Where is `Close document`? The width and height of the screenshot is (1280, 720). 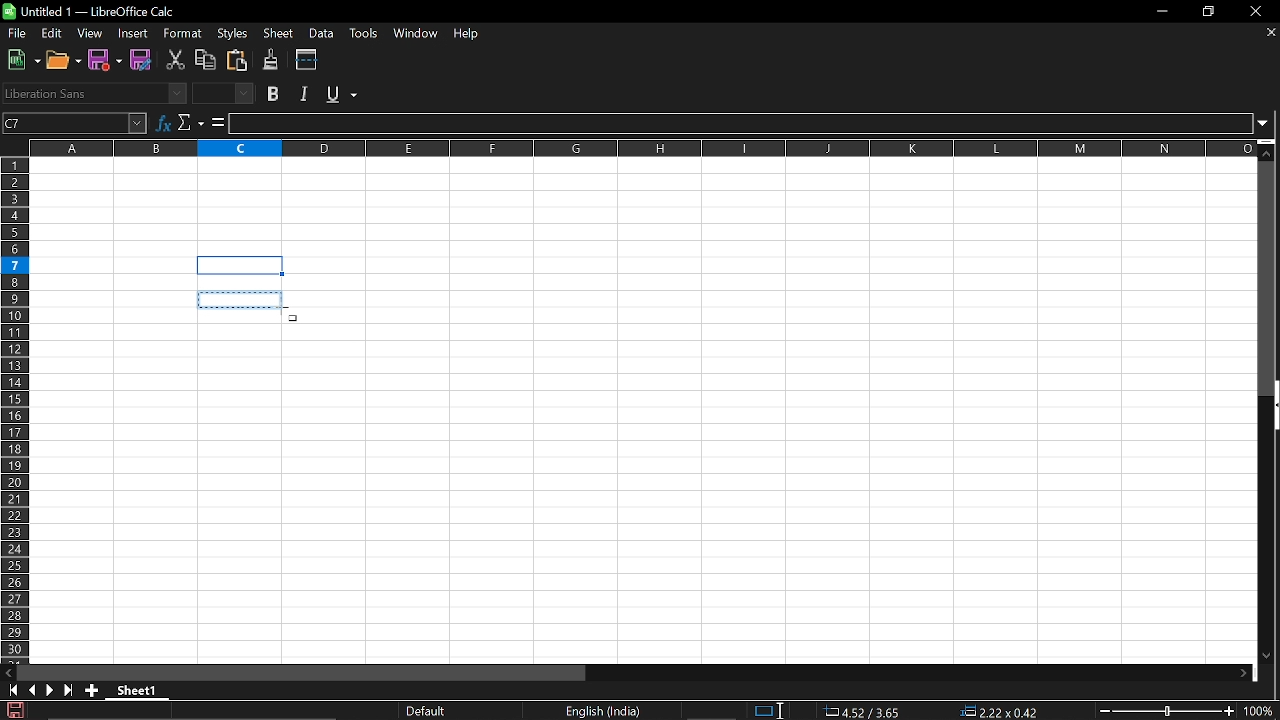
Close document is located at coordinates (1272, 32).